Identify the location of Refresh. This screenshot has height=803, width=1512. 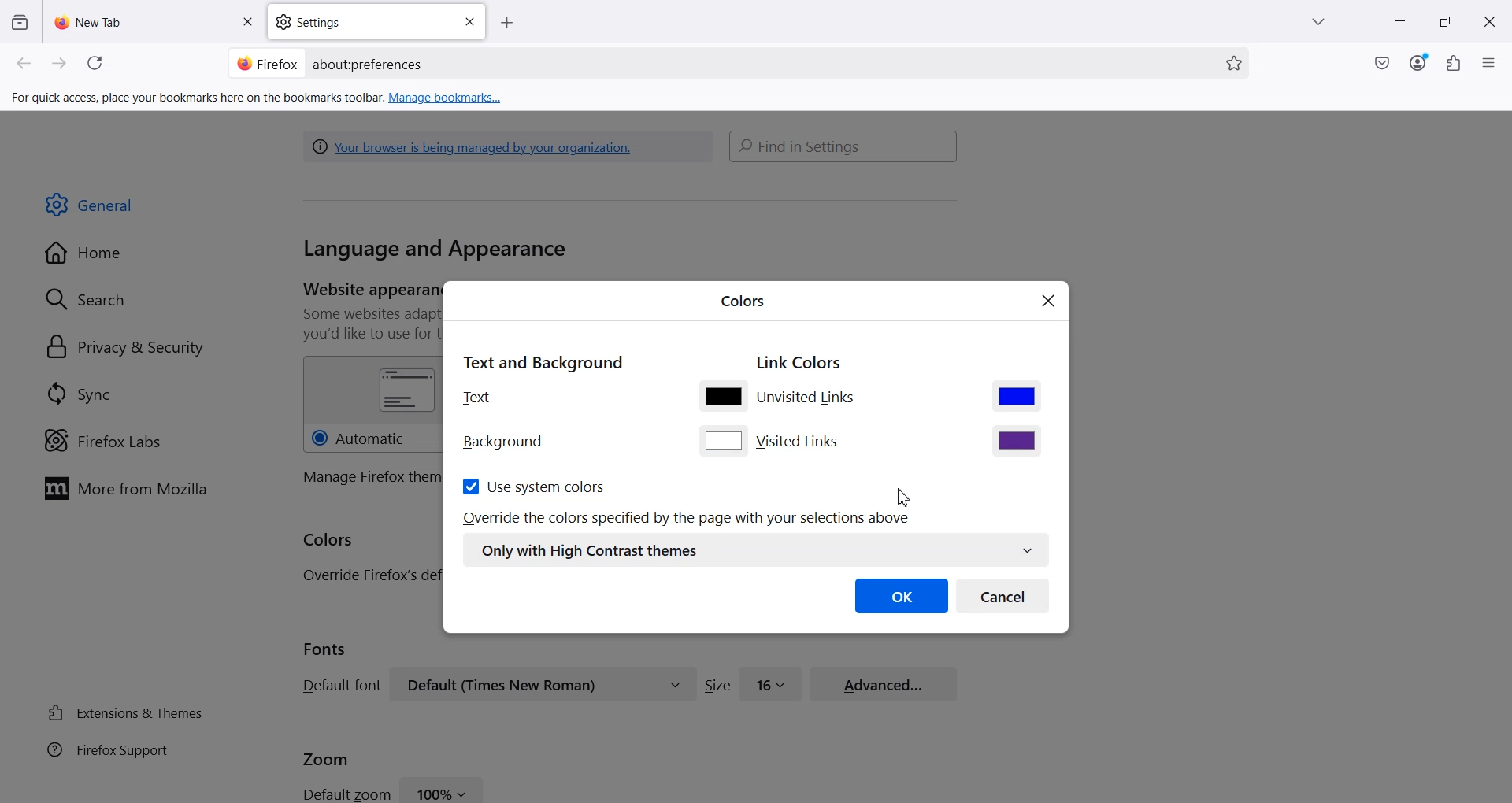
(98, 64).